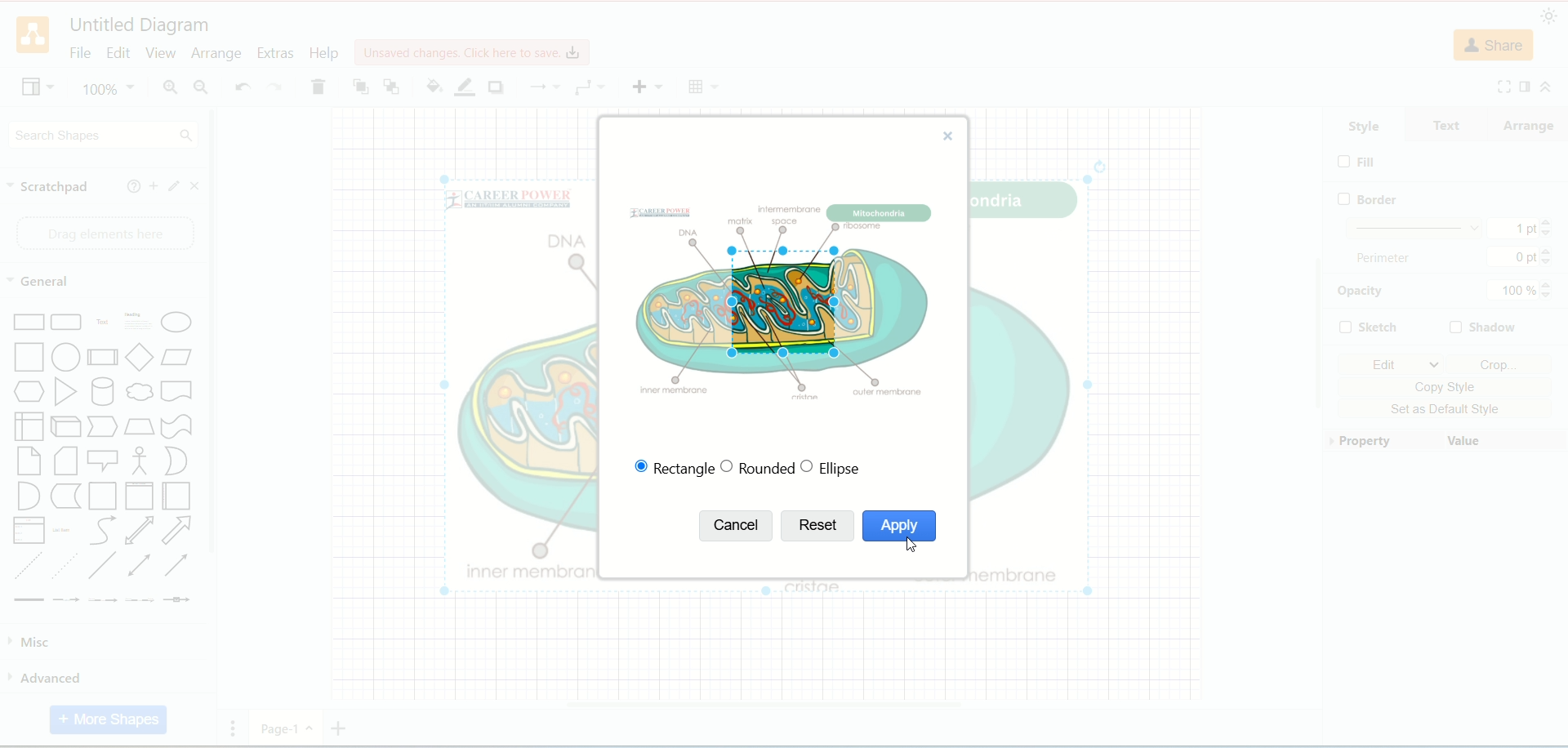  What do you see at coordinates (1498, 364) in the screenshot?
I see `crop` at bounding box center [1498, 364].